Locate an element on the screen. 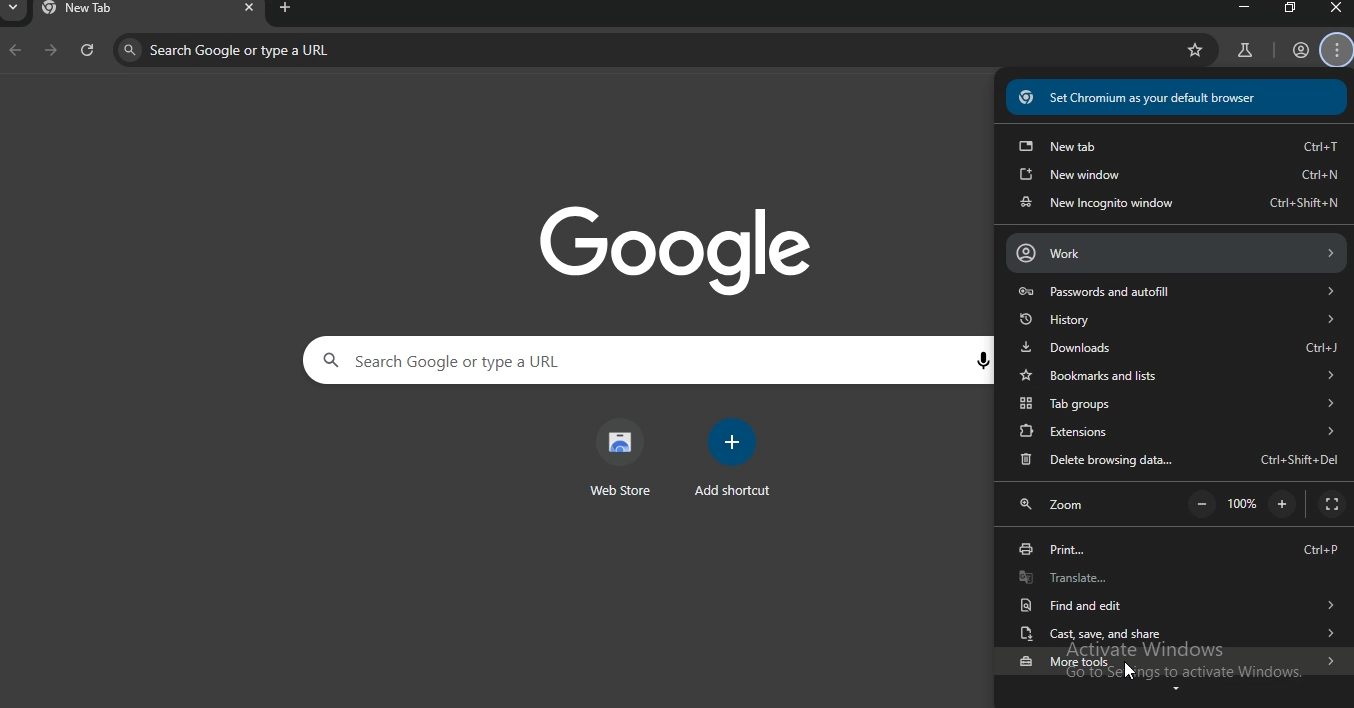 This screenshot has height=708, width=1354. print is located at coordinates (1174, 549).